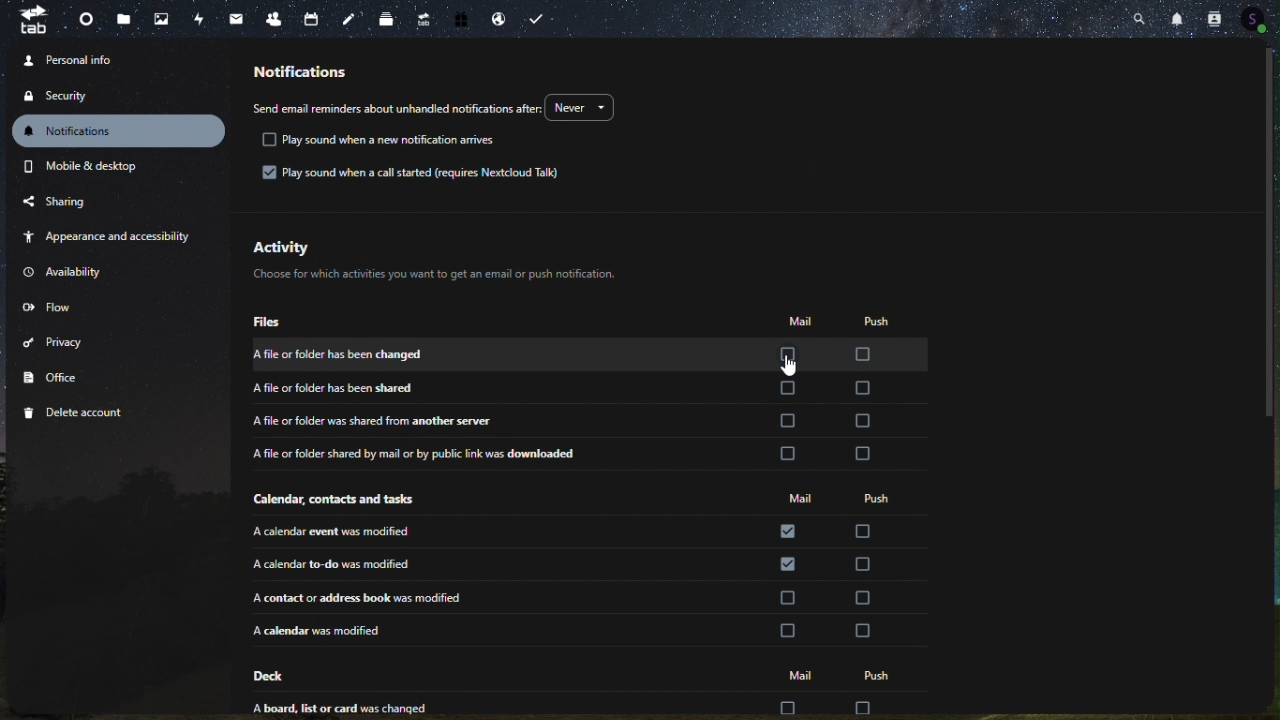 This screenshot has height=720, width=1280. What do you see at coordinates (342, 564) in the screenshot?
I see `a calender to-do was modified` at bounding box center [342, 564].